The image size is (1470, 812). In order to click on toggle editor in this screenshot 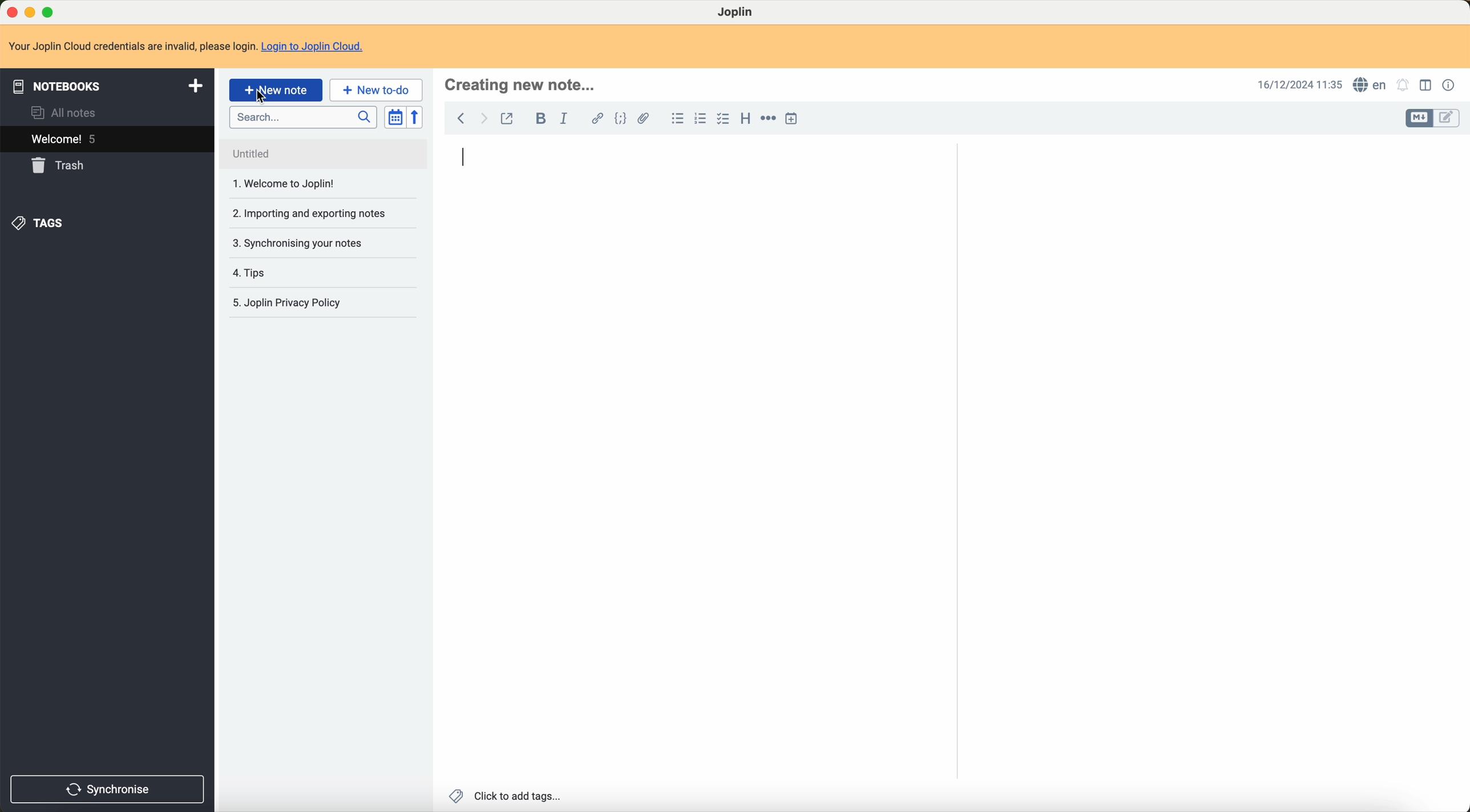, I will do `click(1447, 120)`.